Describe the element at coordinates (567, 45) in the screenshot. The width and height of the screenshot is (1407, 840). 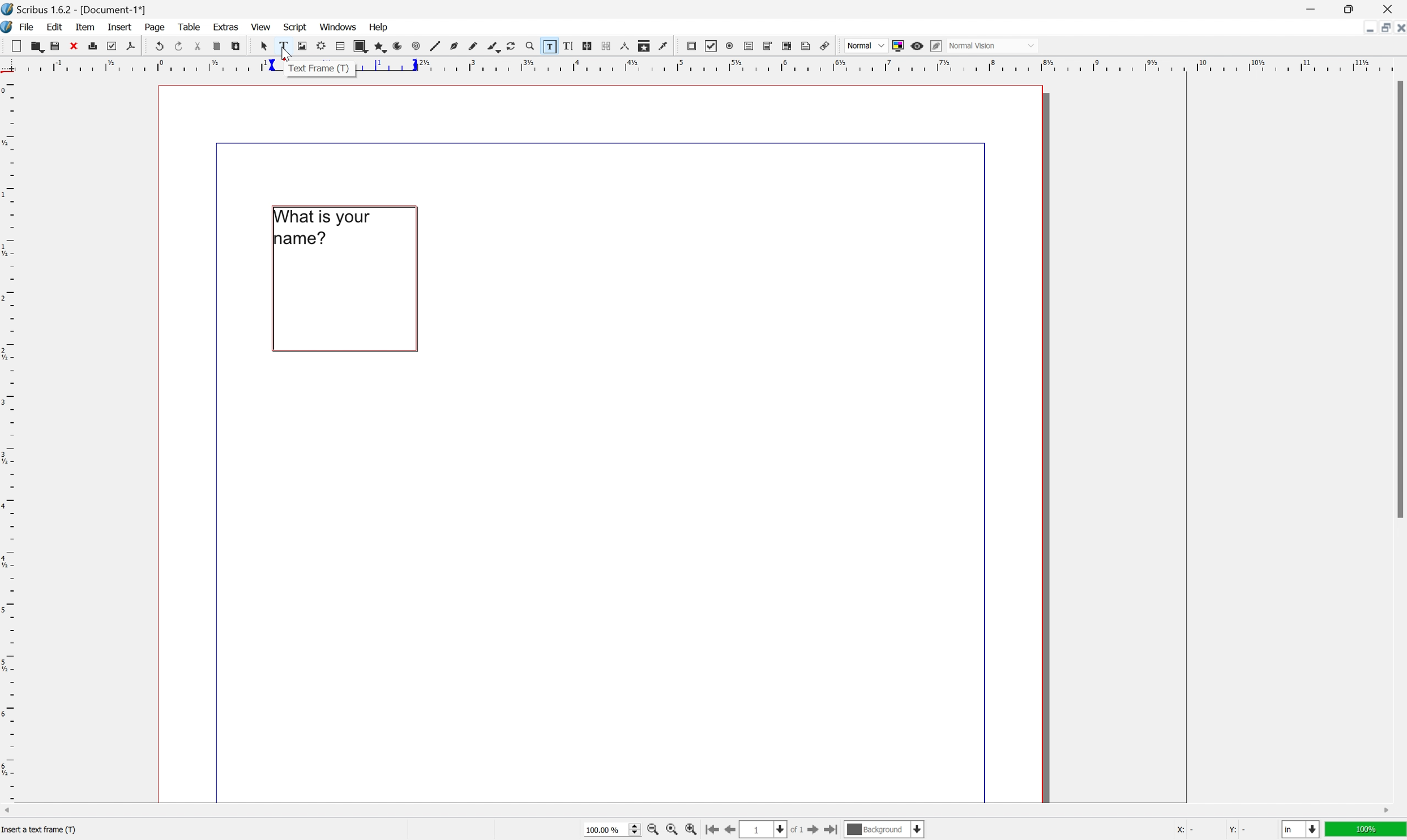
I see `edit text with story editor` at that location.